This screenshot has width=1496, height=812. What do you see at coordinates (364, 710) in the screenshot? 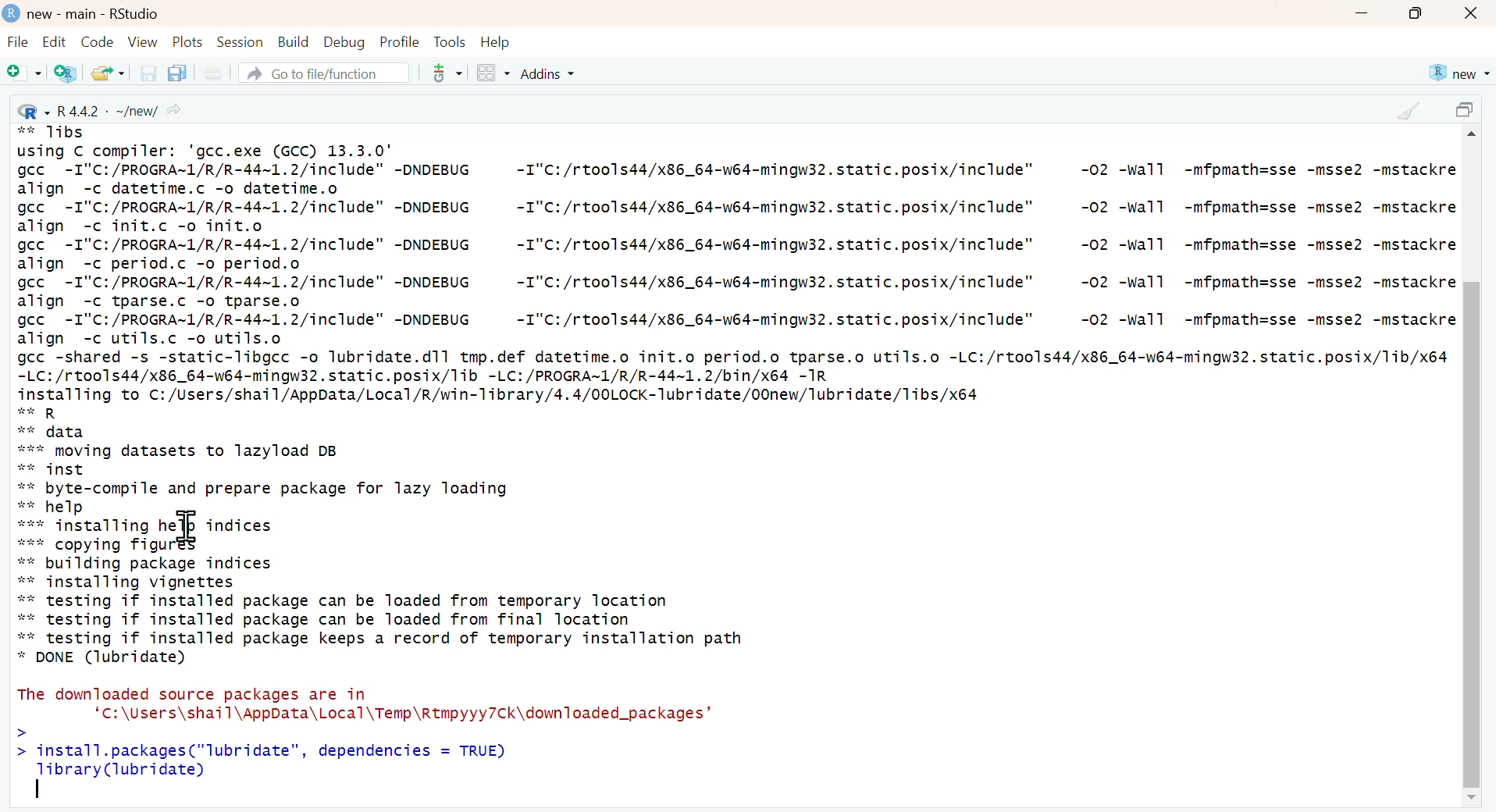
I see `The downloaded source packages are in‘C:\Users\shail\AppData\Local\Temp\Rtmpyyy7Ck\downloaded_packages’>` at bounding box center [364, 710].